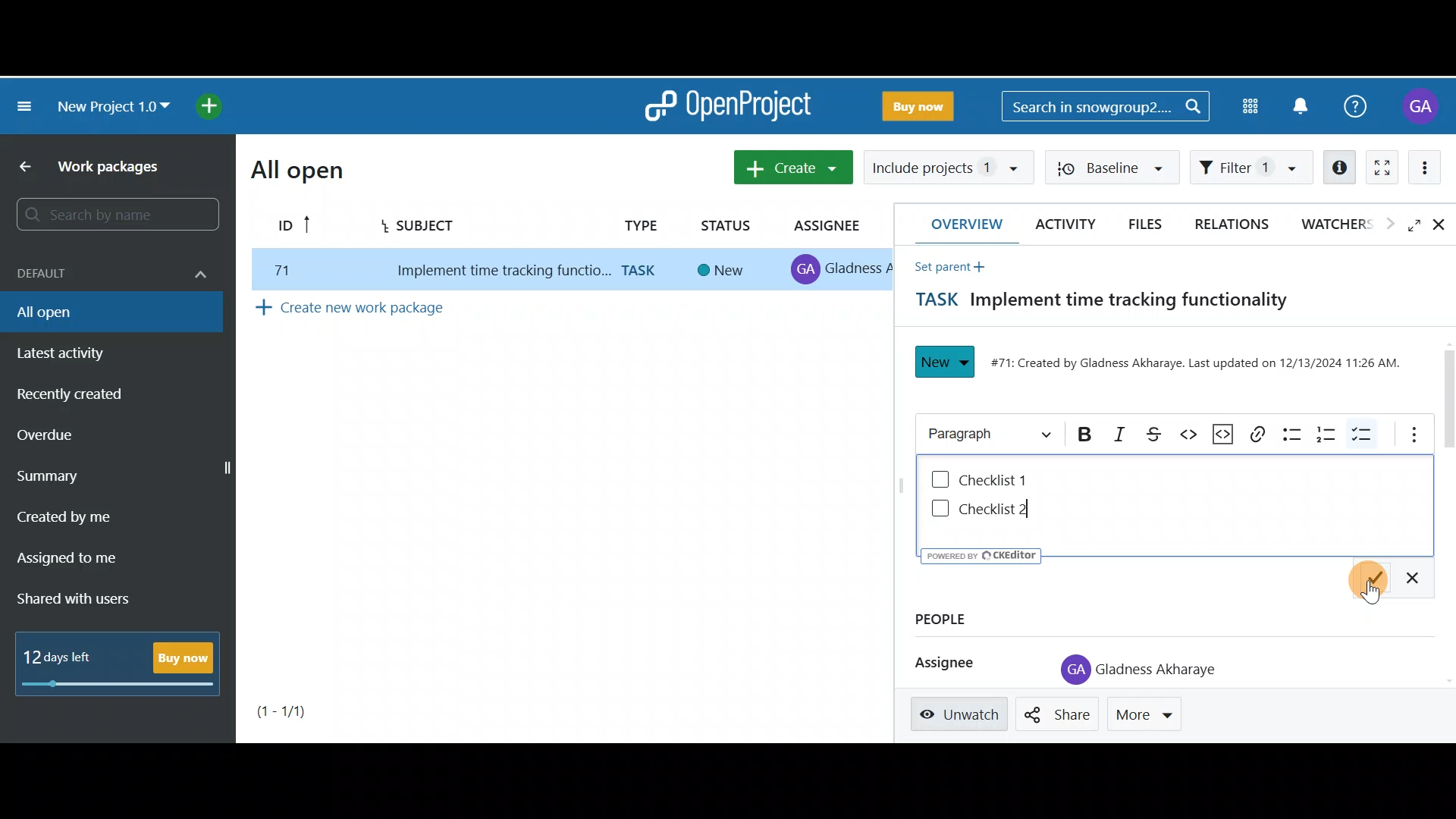 The width and height of the screenshot is (1456, 819). I want to click on Bulleted list, so click(1291, 433).